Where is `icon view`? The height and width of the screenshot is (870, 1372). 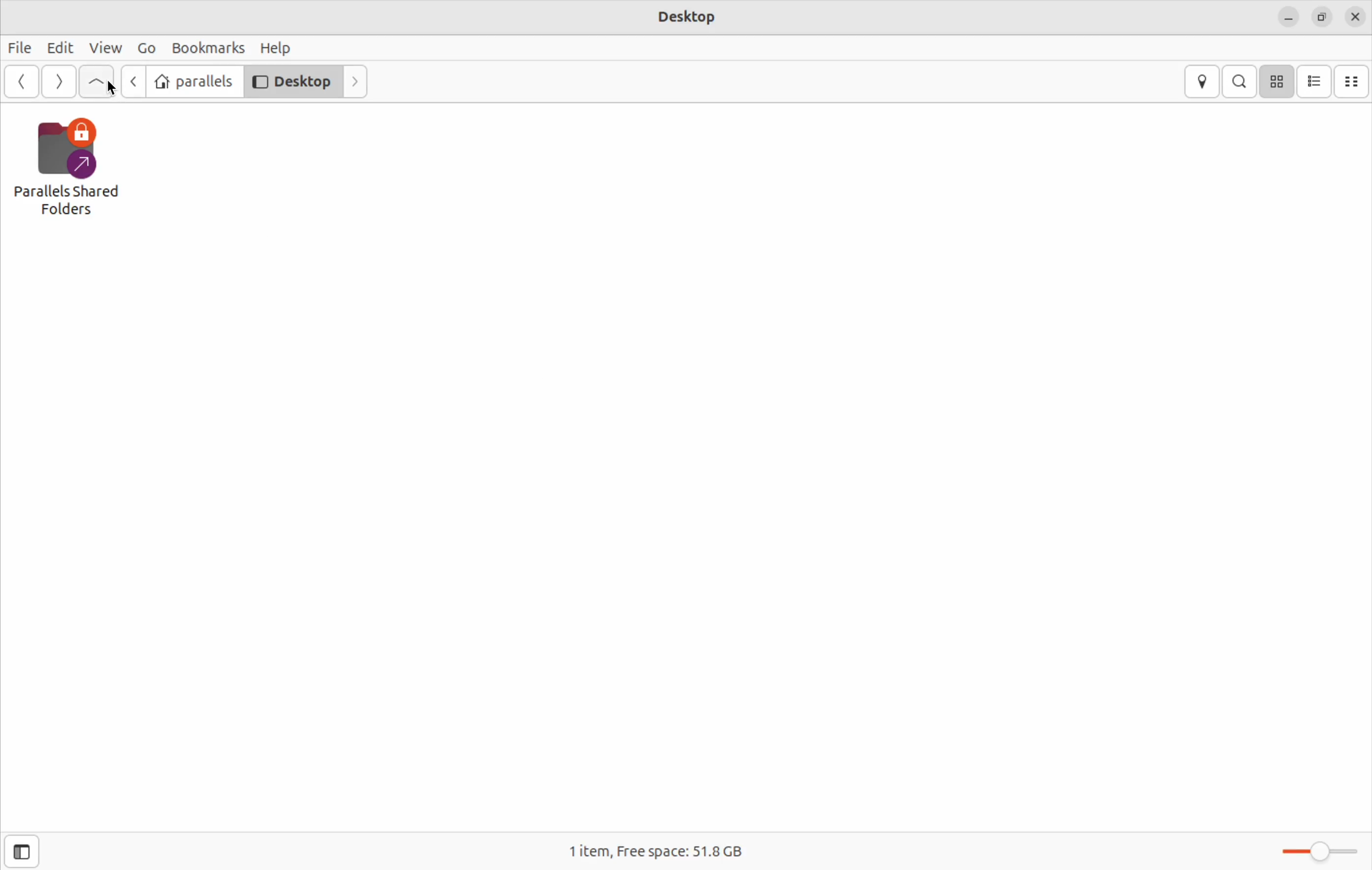 icon view is located at coordinates (1277, 82).